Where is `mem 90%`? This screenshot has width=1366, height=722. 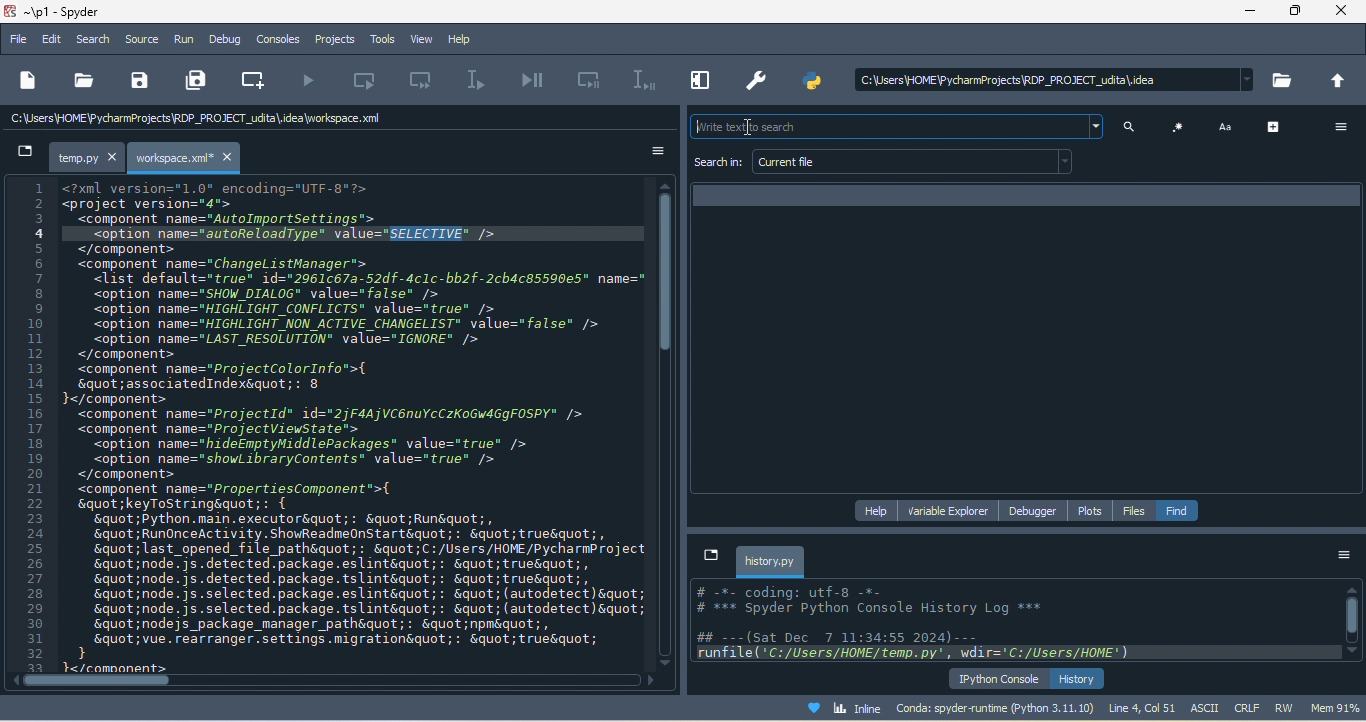 mem 90% is located at coordinates (1336, 707).